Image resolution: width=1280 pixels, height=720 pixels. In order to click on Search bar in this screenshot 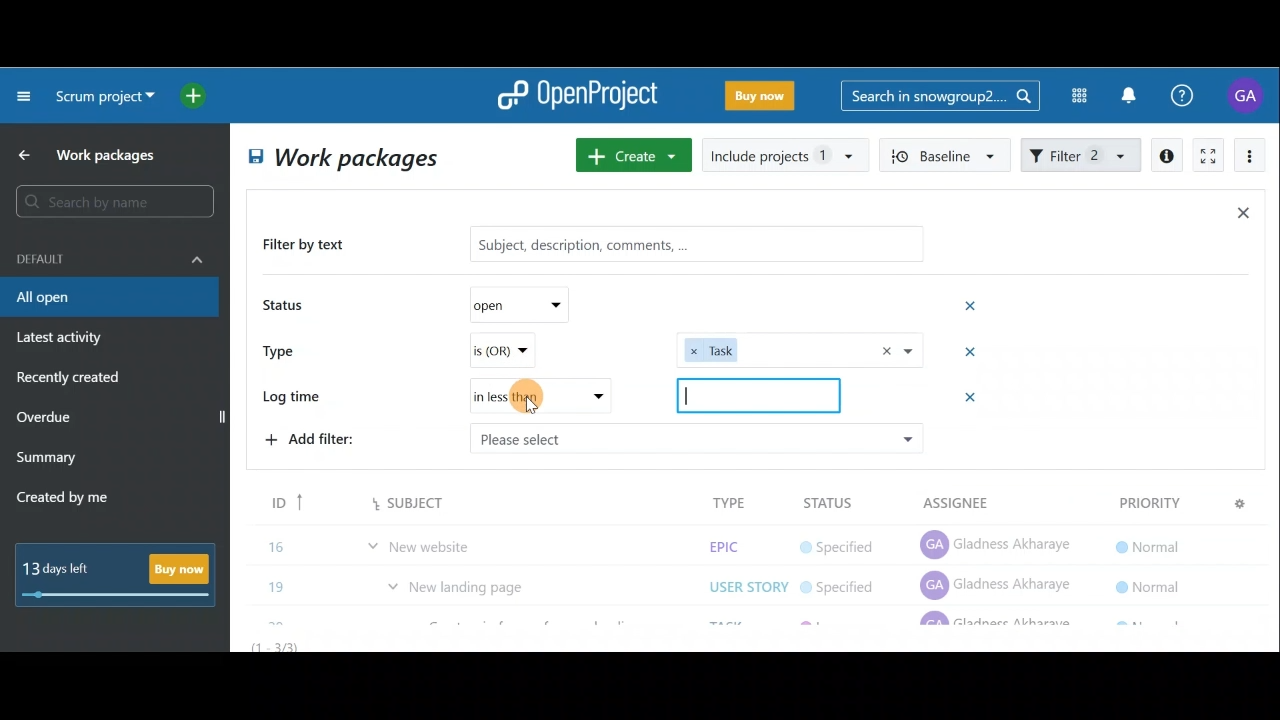, I will do `click(118, 201)`.